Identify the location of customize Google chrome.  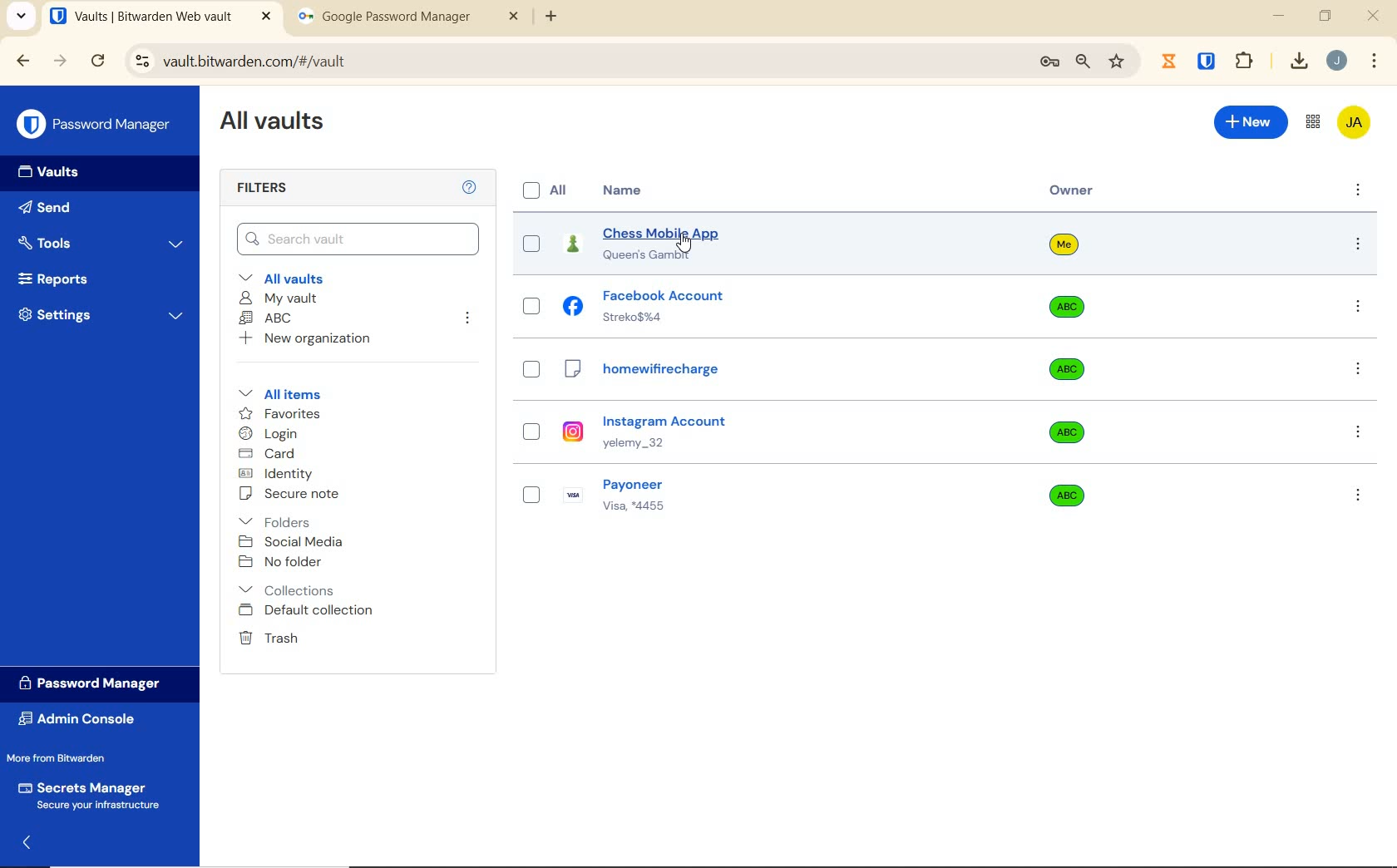
(1375, 62).